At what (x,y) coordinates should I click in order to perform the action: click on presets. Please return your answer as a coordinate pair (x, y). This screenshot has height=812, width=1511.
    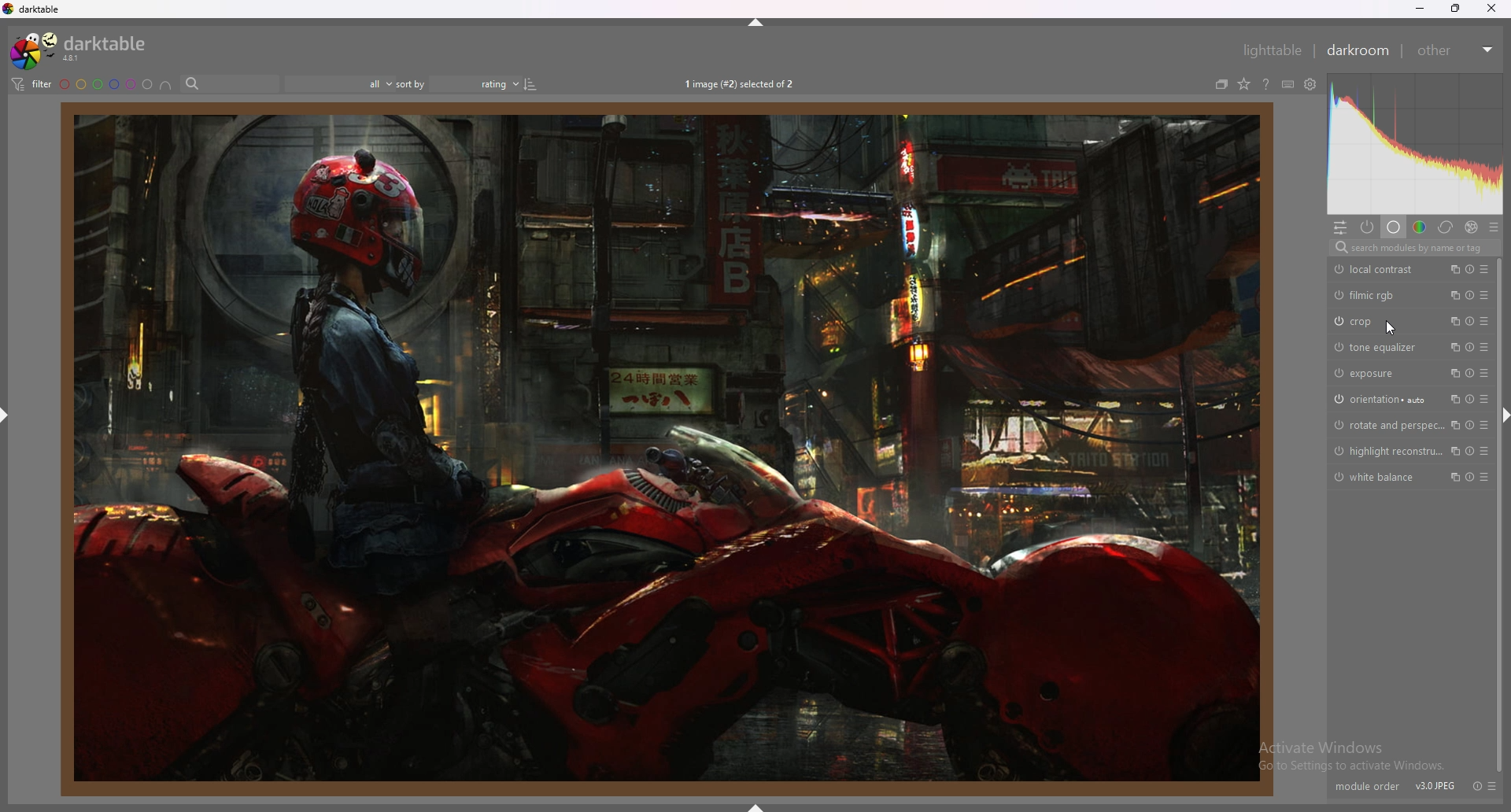
    Looking at the image, I should click on (1483, 399).